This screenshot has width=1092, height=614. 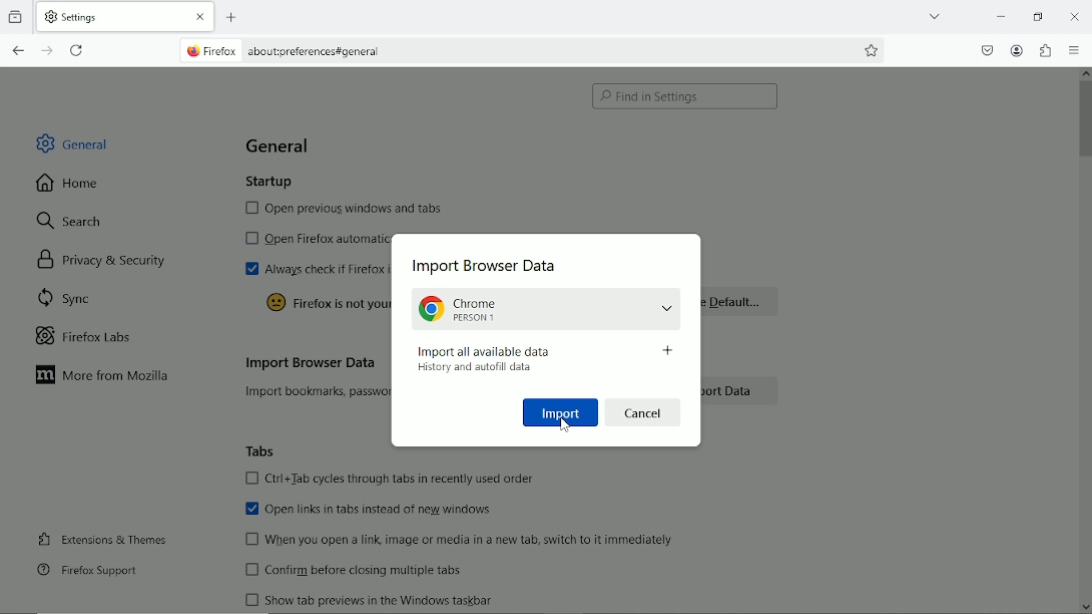 What do you see at coordinates (1076, 15) in the screenshot?
I see `close` at bounding box center [1076, 15].